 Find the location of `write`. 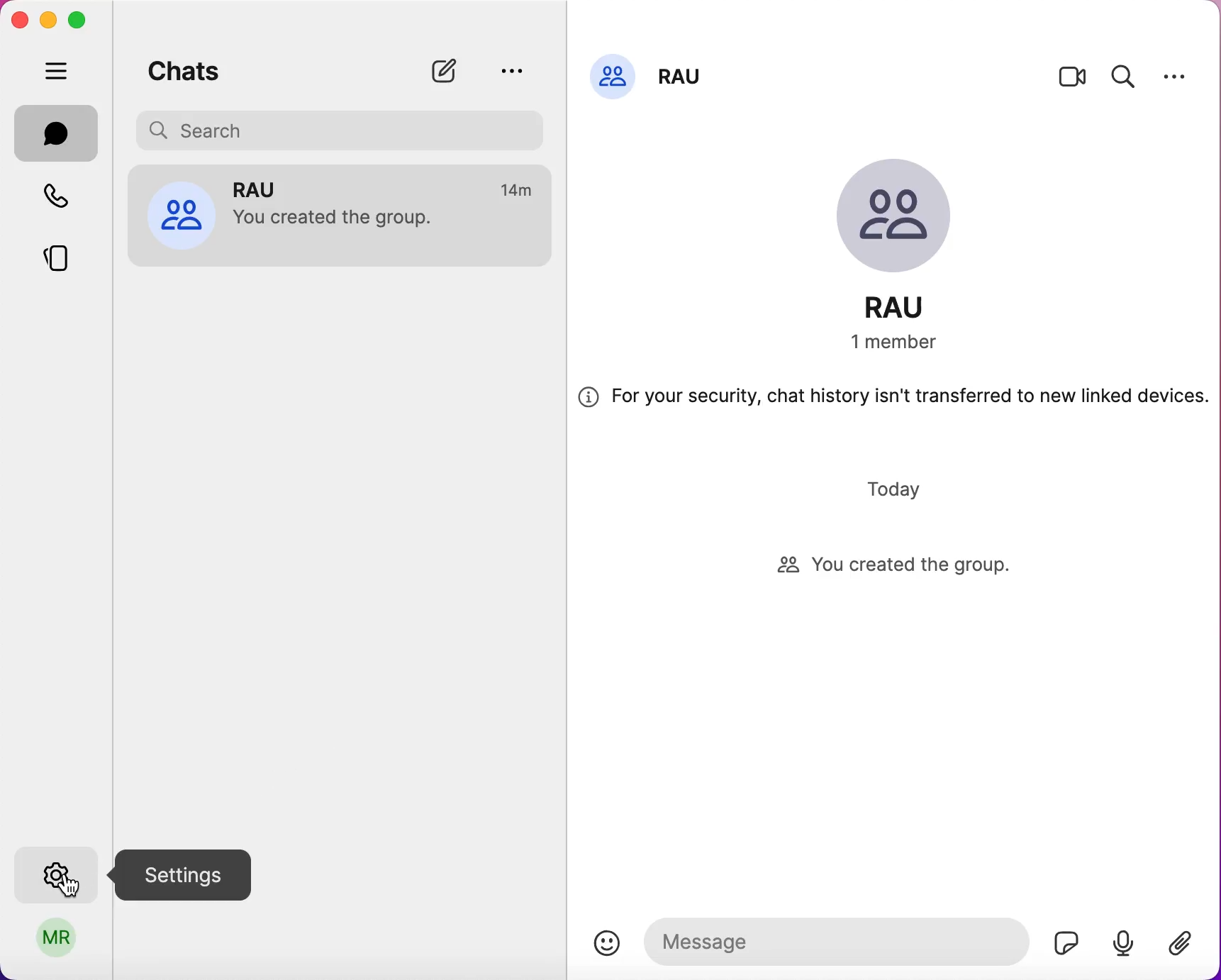

write is located at coordinates (444, 70).